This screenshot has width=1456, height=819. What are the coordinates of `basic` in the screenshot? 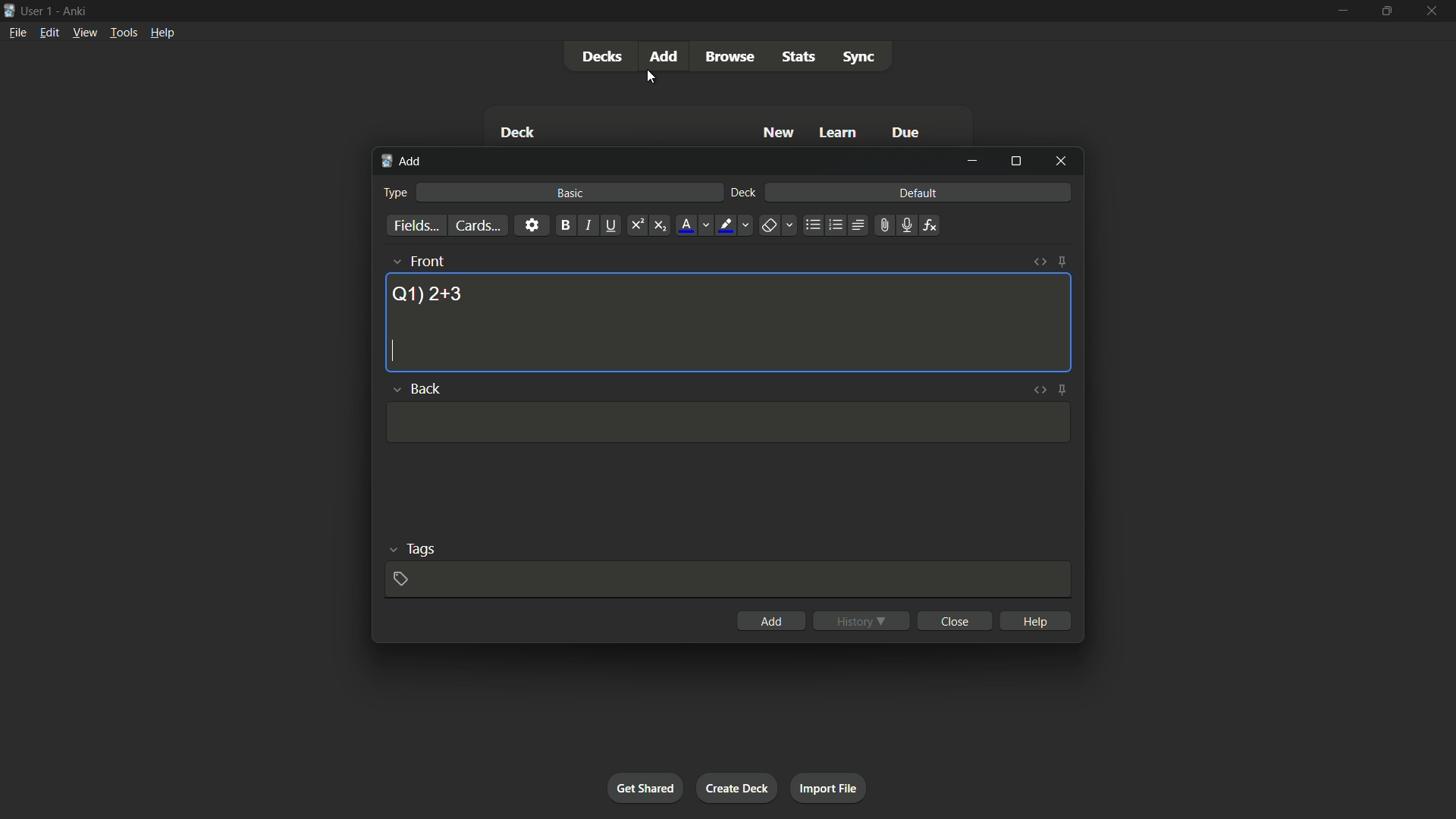 It's located at (571, 193).